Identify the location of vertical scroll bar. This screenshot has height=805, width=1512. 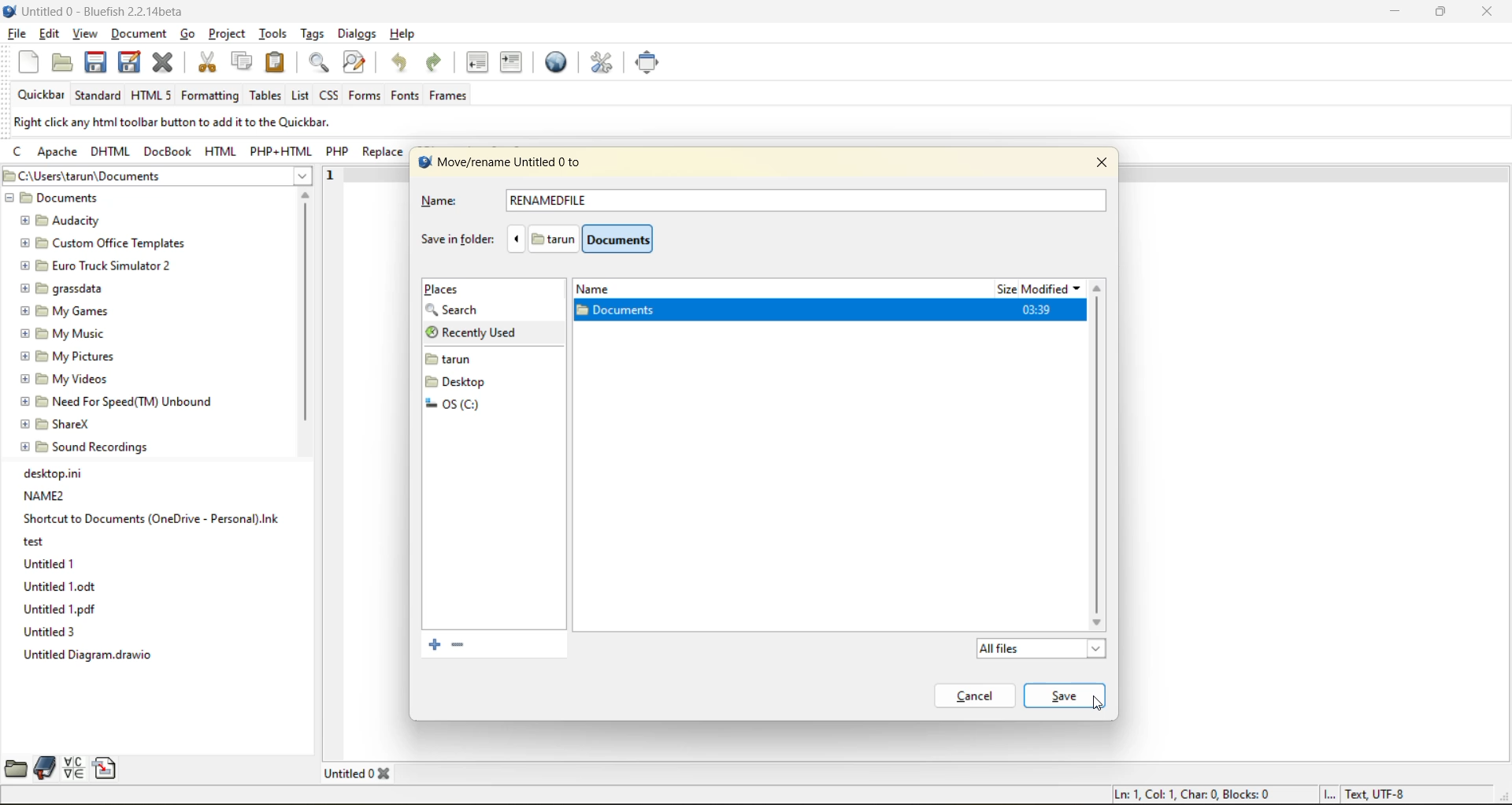
(306, 313).